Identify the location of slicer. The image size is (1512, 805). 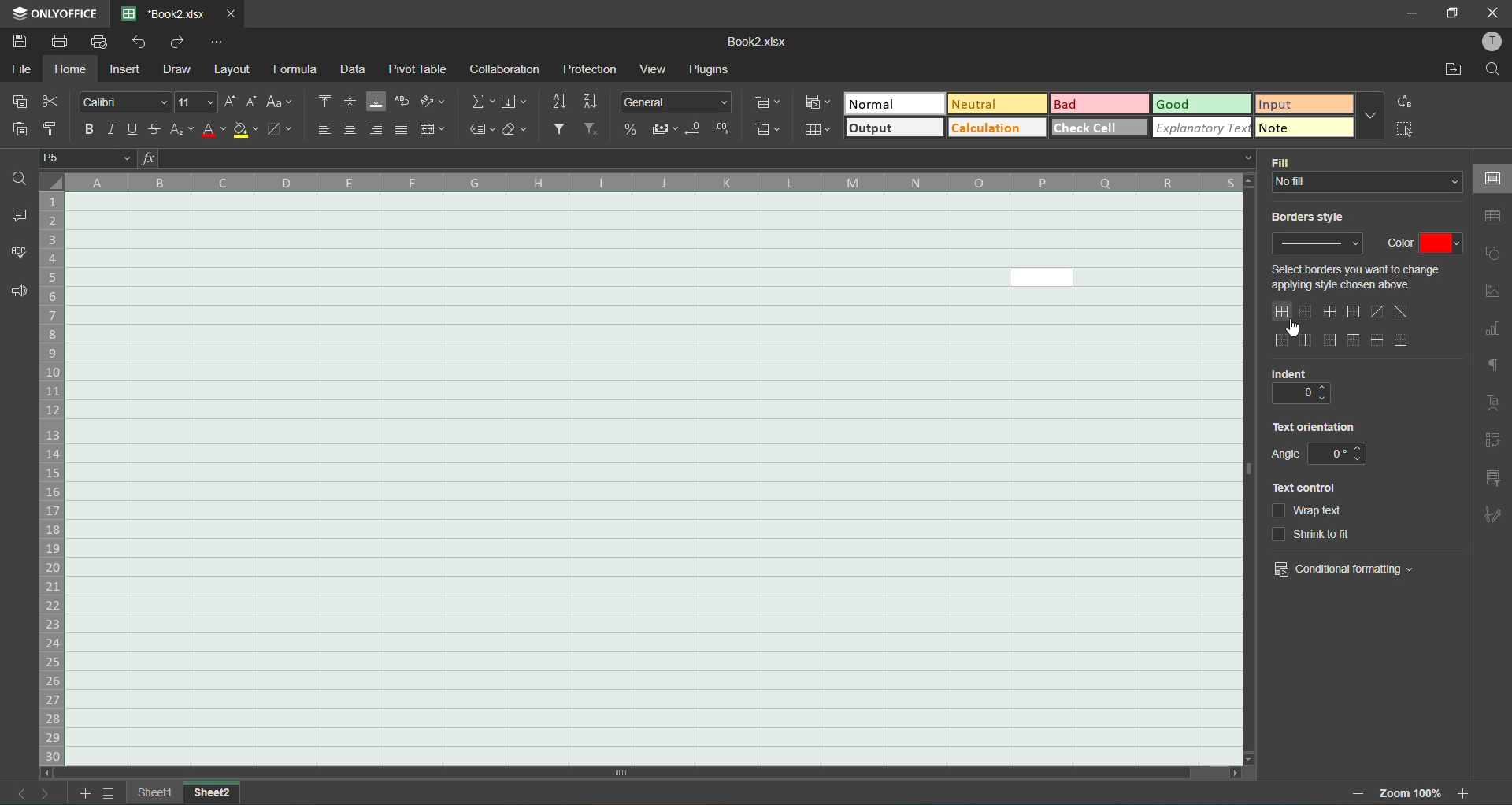
(1495, 480).